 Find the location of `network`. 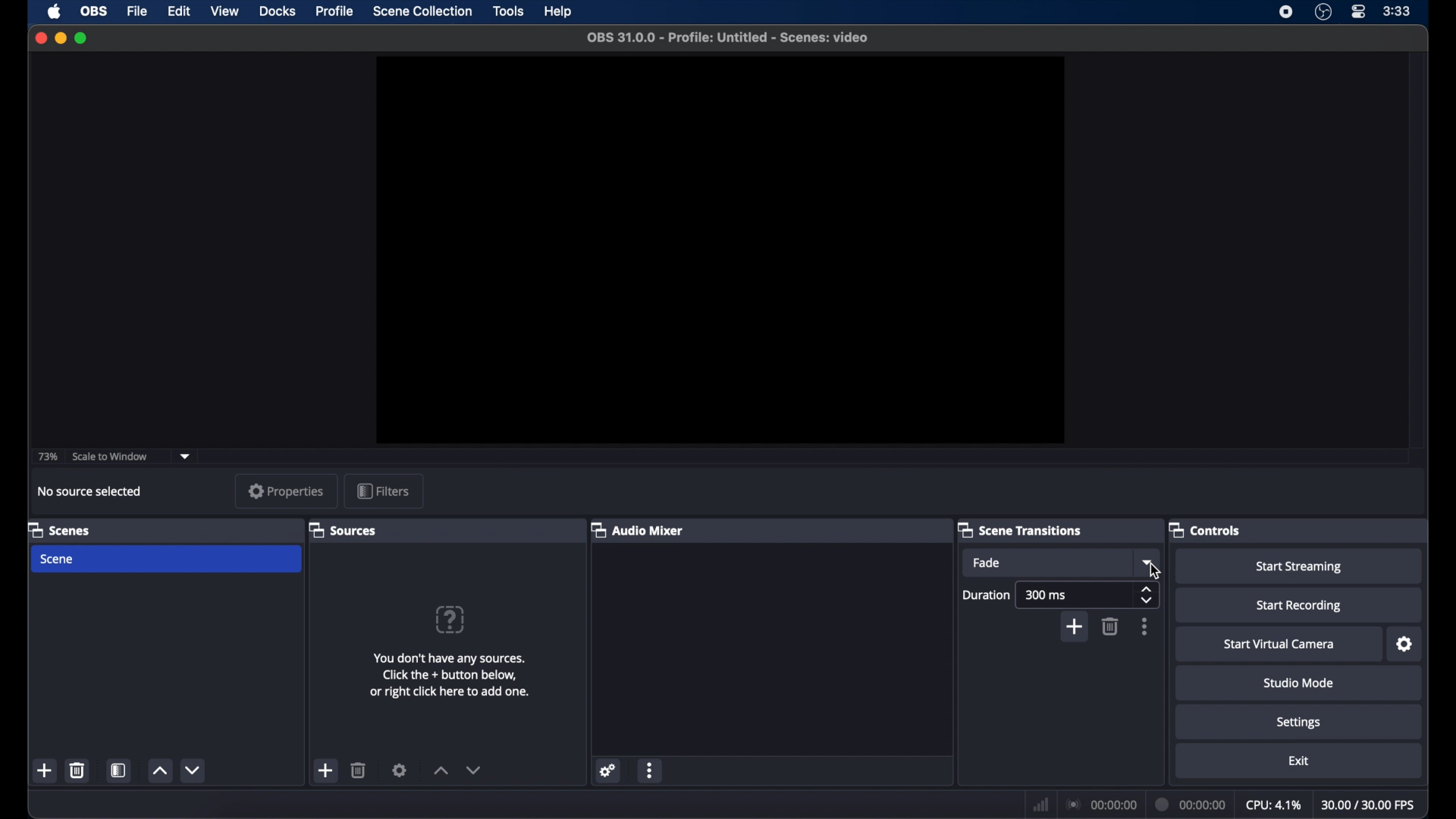

network is located at coordinates (1041, 805).